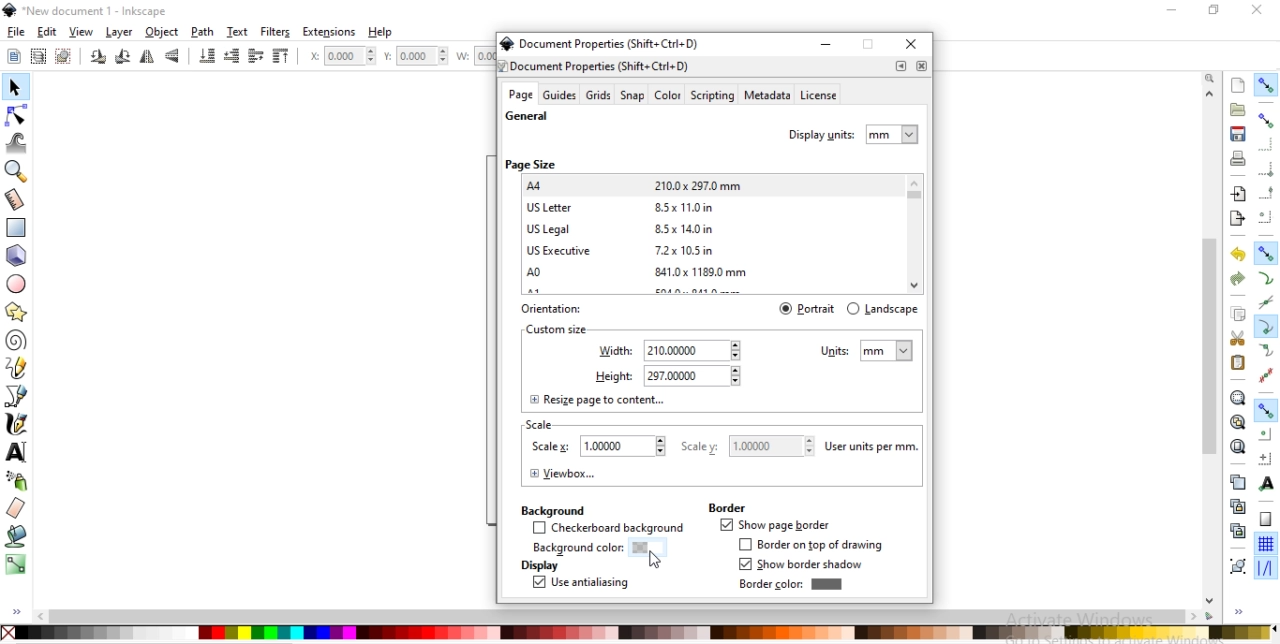 Image resolution: width=1280 pixels, height=644 pixels. Describe the element at coordinates (1239, 84) in the screenshot. I see `create s document with default template` at that location.